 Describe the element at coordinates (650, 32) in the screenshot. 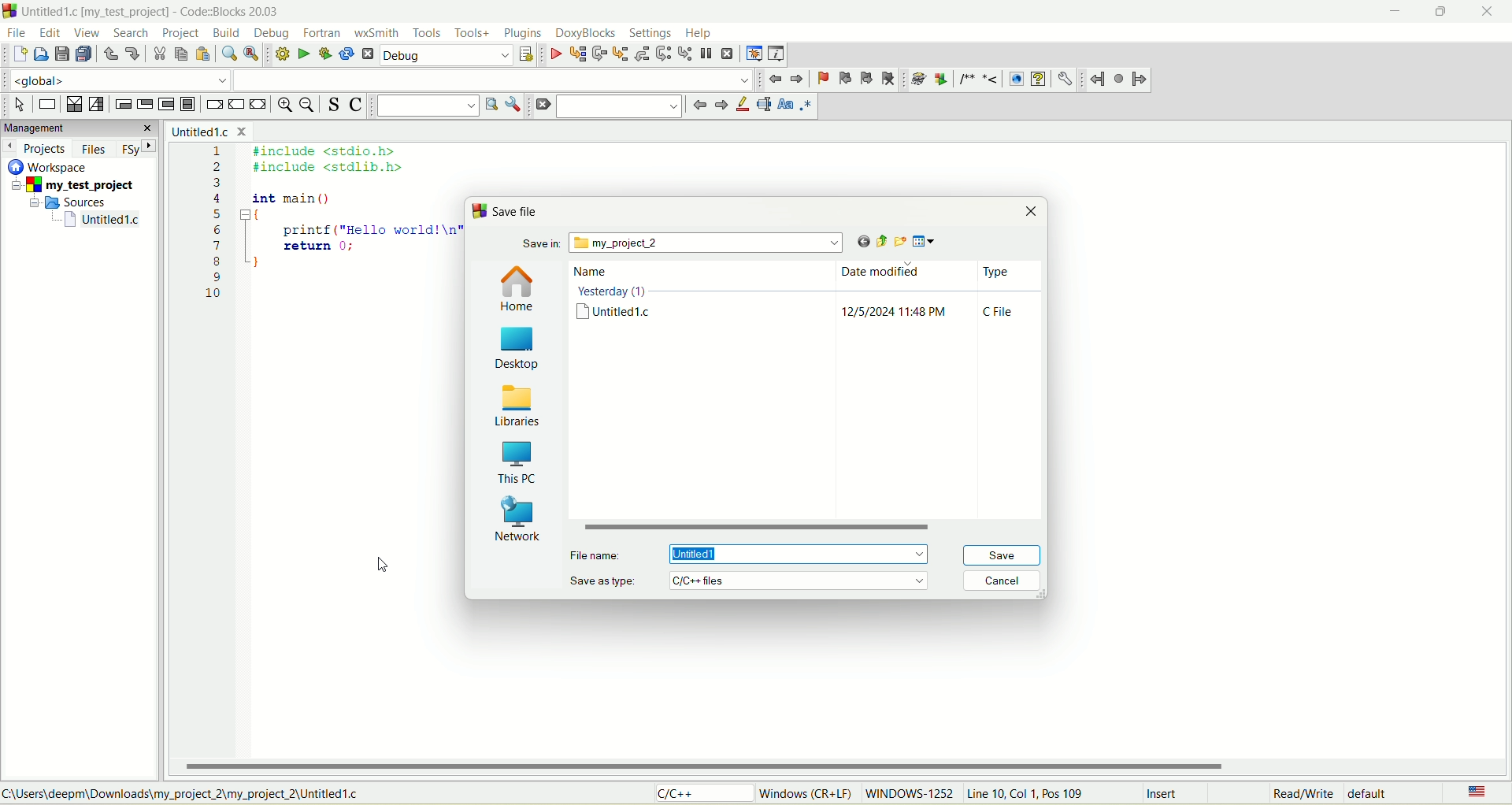

I see `settings` at that location.